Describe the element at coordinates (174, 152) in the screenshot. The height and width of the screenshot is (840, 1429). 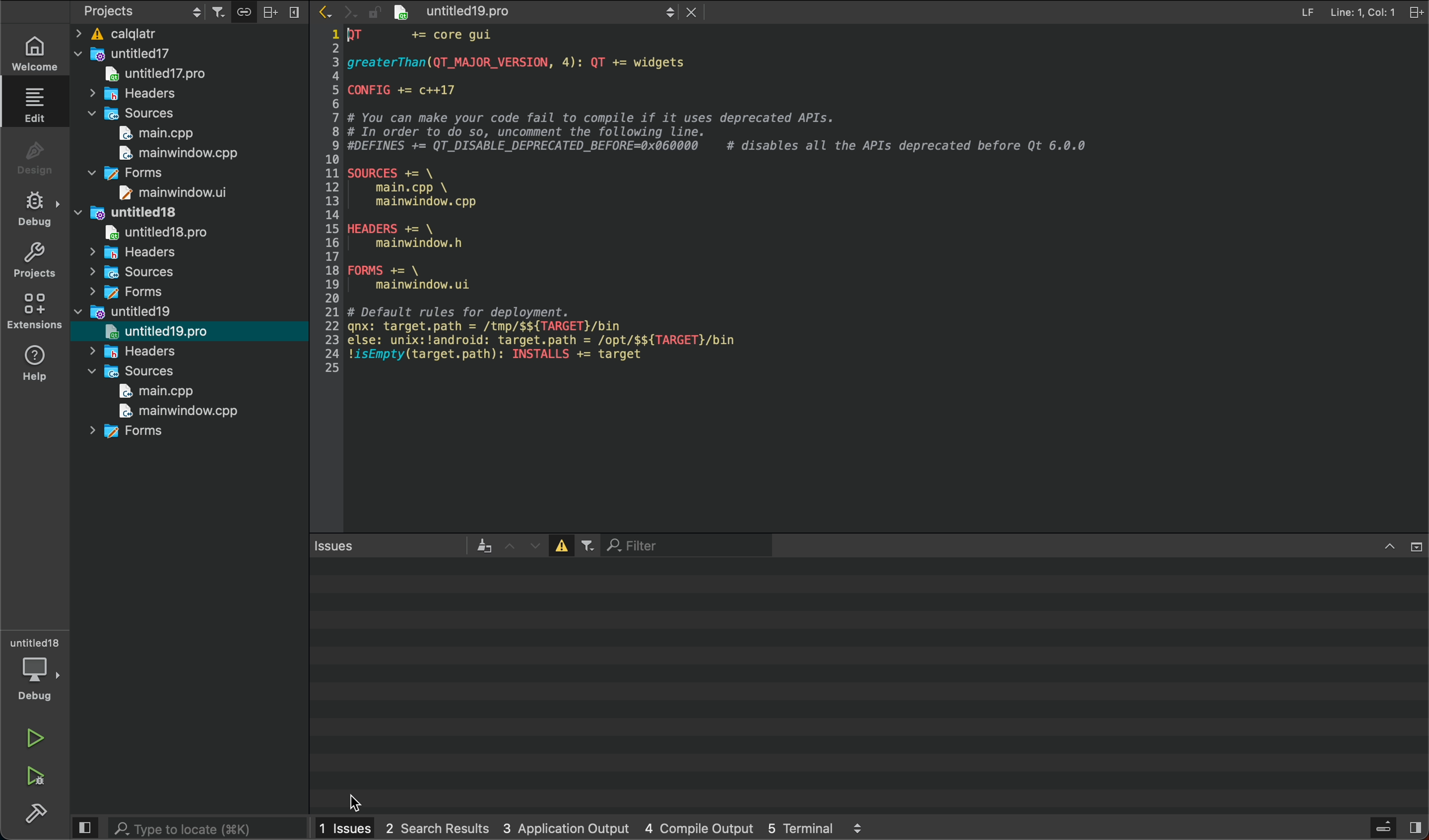
I see `mainwindow.cpp` at that location.